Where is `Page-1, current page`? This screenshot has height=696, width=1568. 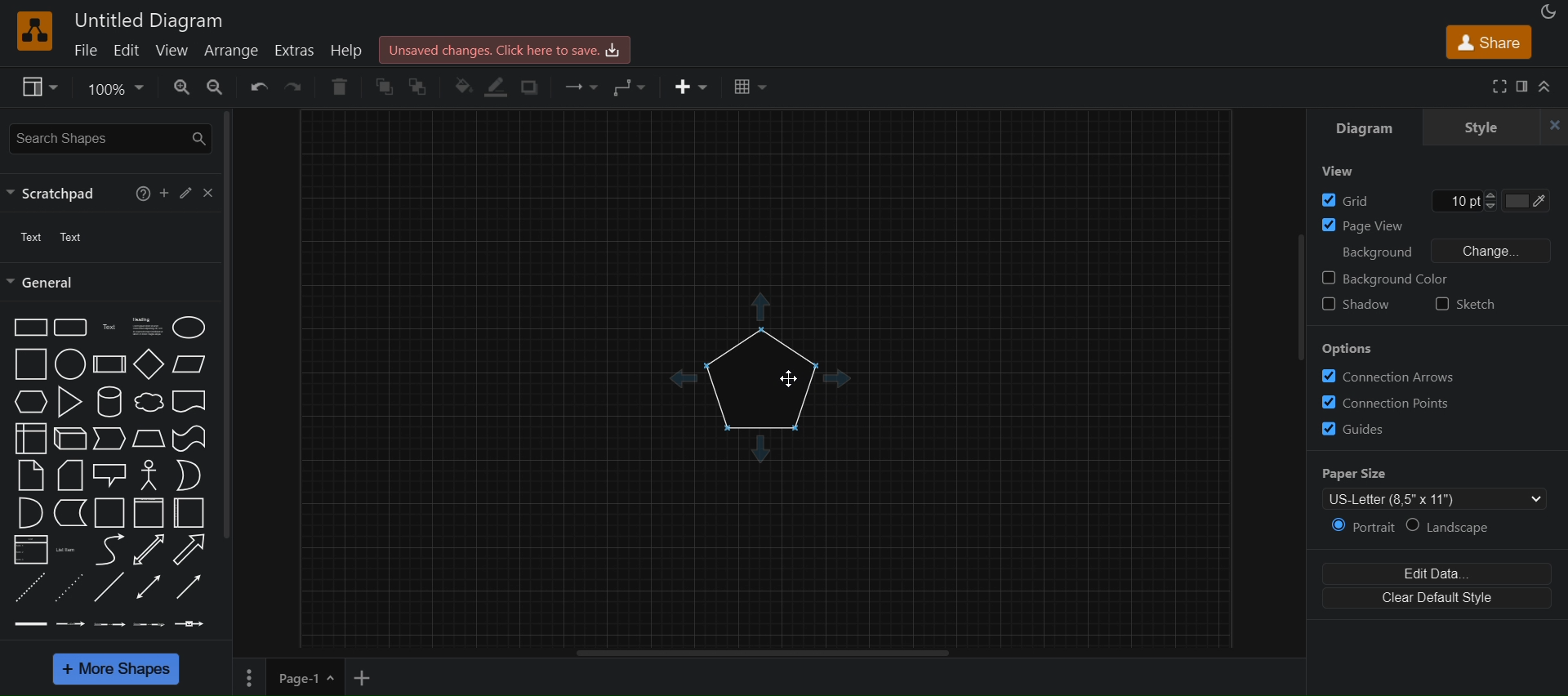 Page-1, current page is located at coordinates (292, 677).